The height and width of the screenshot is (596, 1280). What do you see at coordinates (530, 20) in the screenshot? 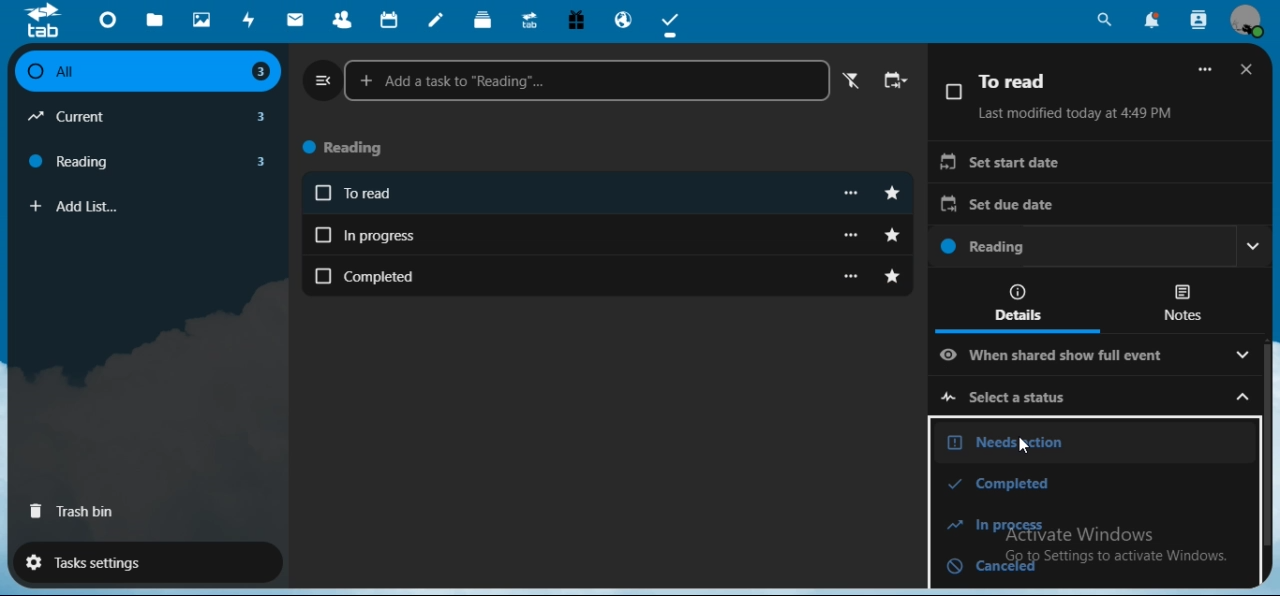
I see `upgrade` at bounding box center [530, 20].